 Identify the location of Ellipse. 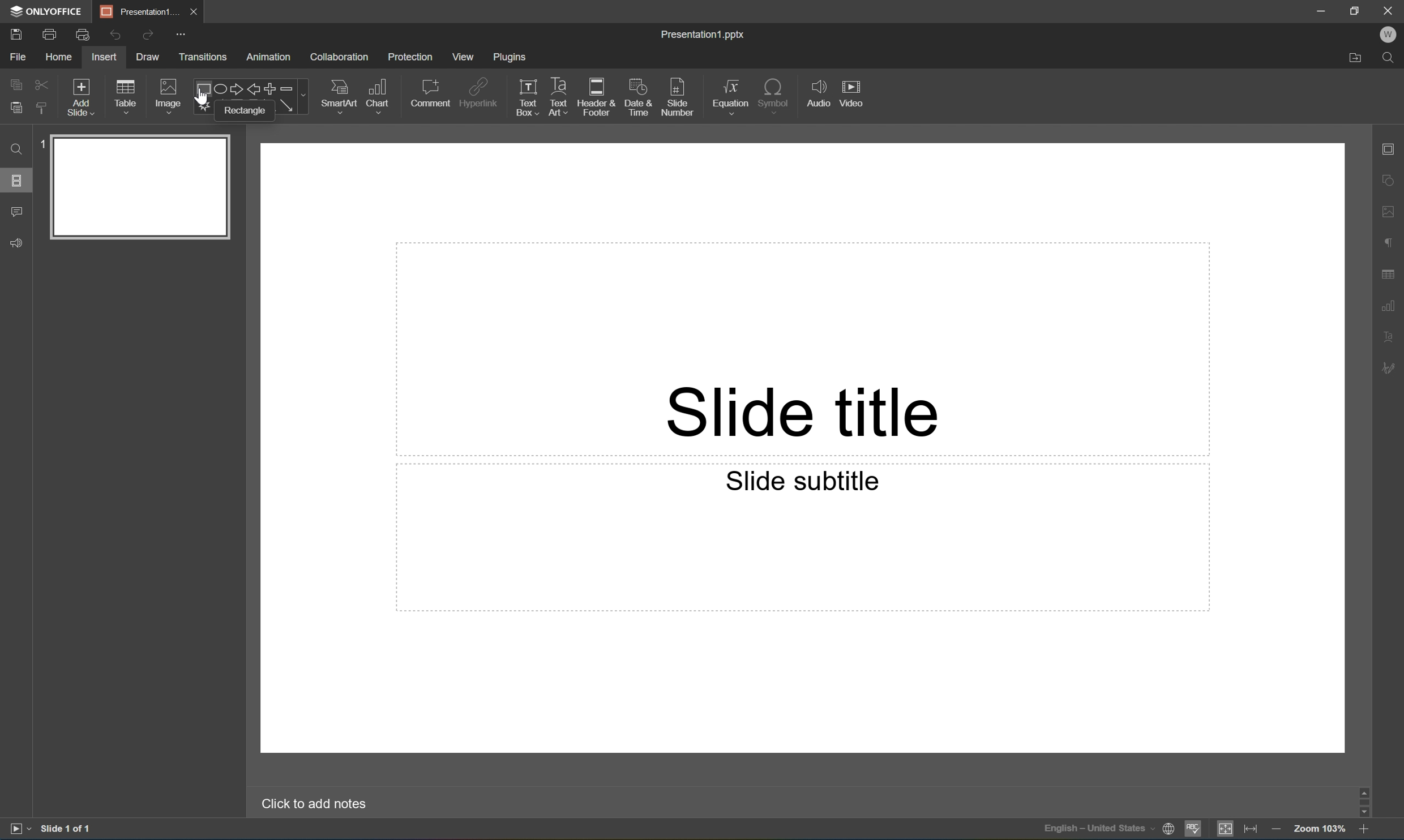
(219, 90).